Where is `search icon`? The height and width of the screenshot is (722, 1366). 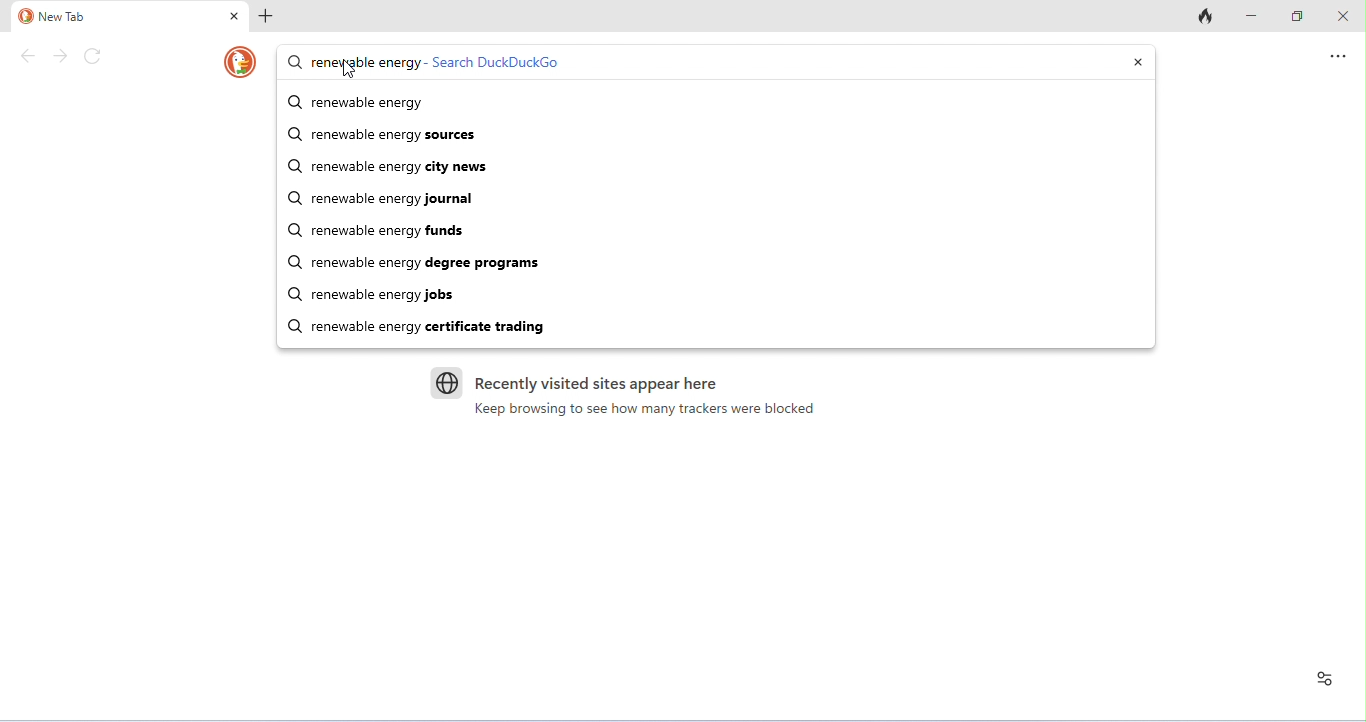
search icon is located at coordinates (294, 103).